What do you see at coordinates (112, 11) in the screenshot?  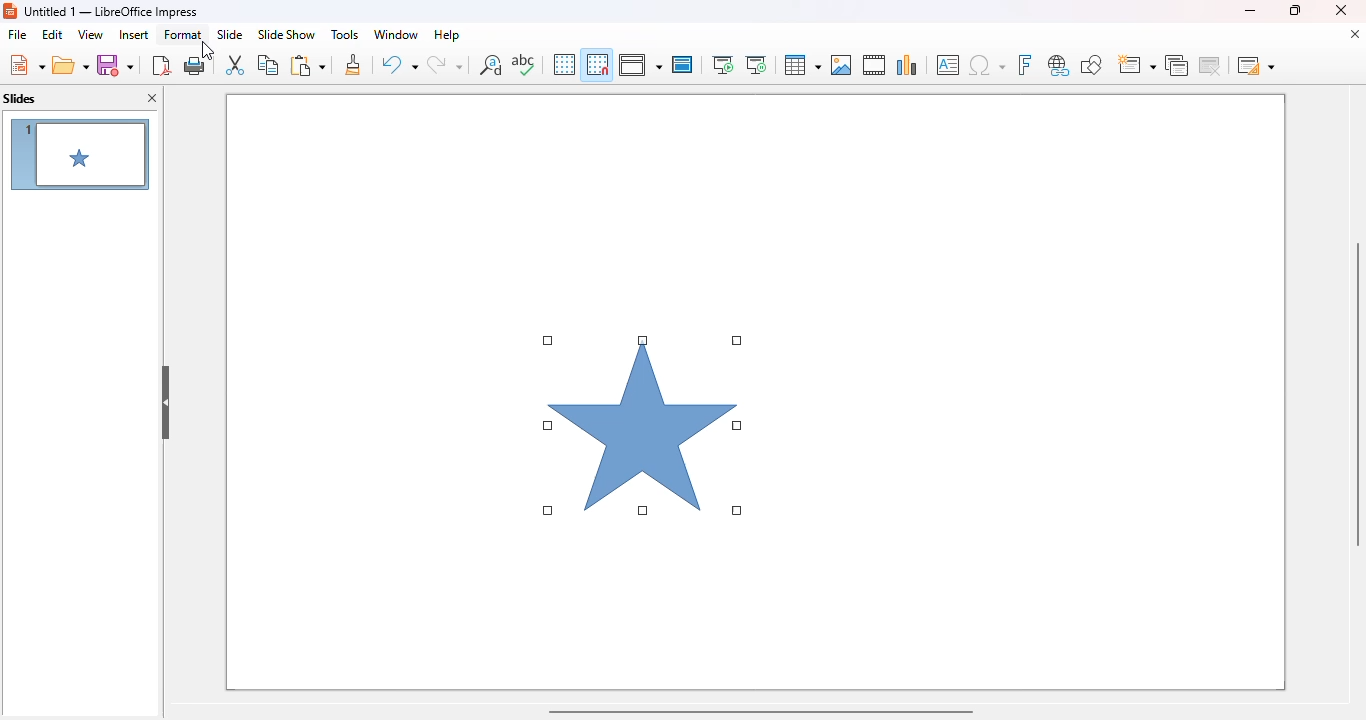 I see `title` at bounding box center [112, 11].